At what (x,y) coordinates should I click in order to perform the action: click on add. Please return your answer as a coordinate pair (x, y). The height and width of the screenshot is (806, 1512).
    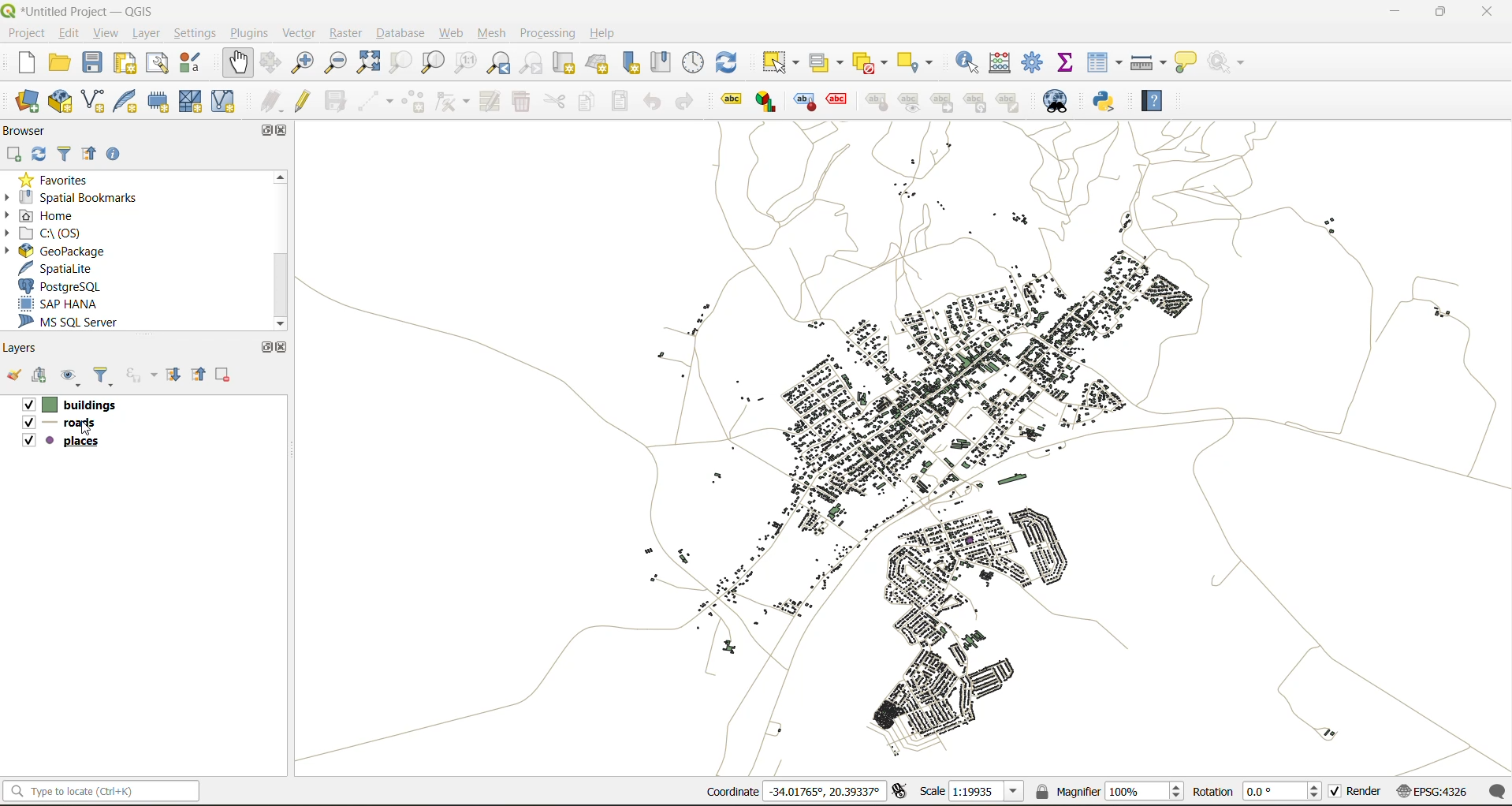
    Looking at the image, I should click on (40, 376).